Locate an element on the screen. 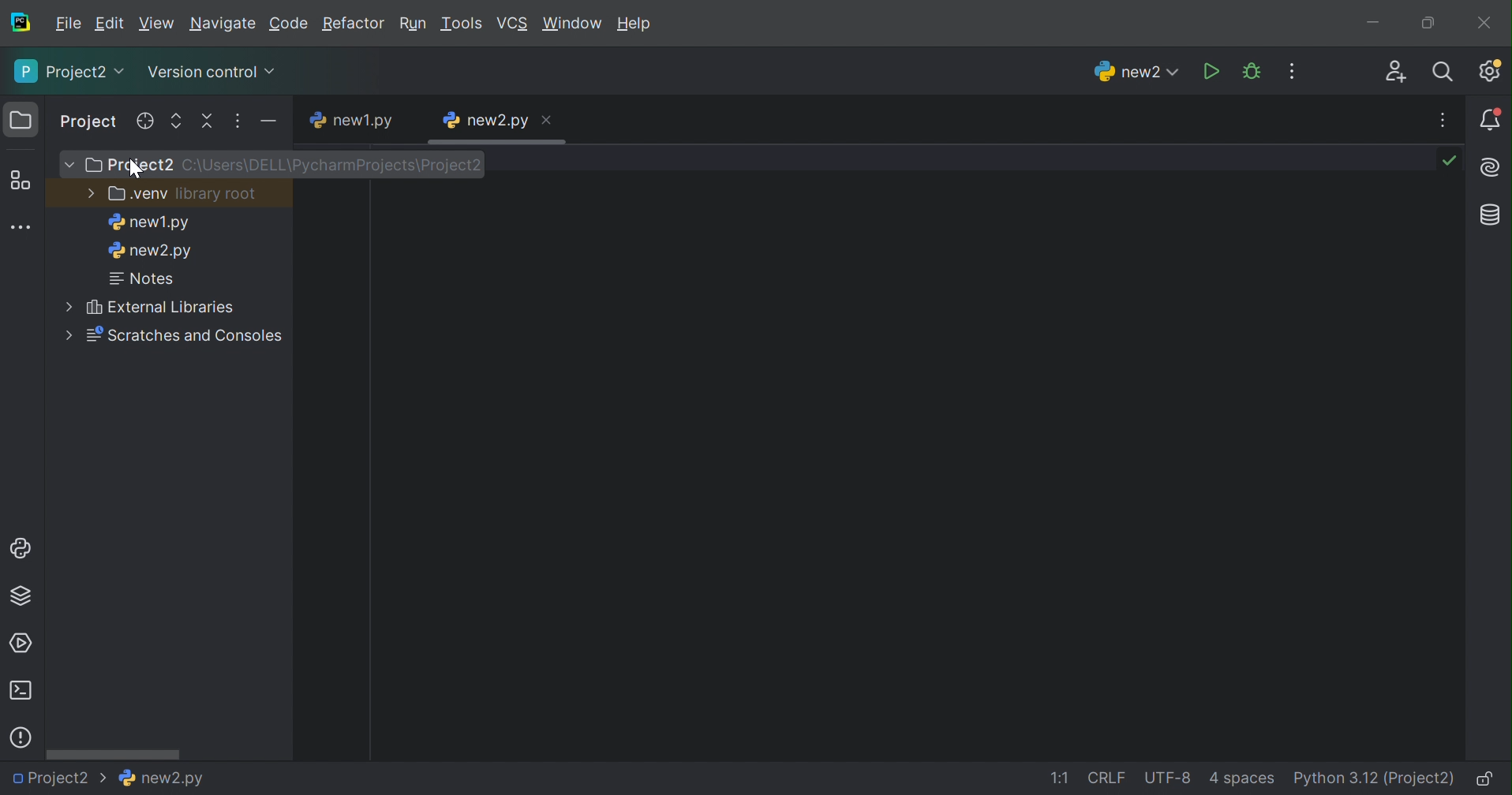 This screenshot has width=1512, height=795. Collapse all is located at coordinates (209, 121).